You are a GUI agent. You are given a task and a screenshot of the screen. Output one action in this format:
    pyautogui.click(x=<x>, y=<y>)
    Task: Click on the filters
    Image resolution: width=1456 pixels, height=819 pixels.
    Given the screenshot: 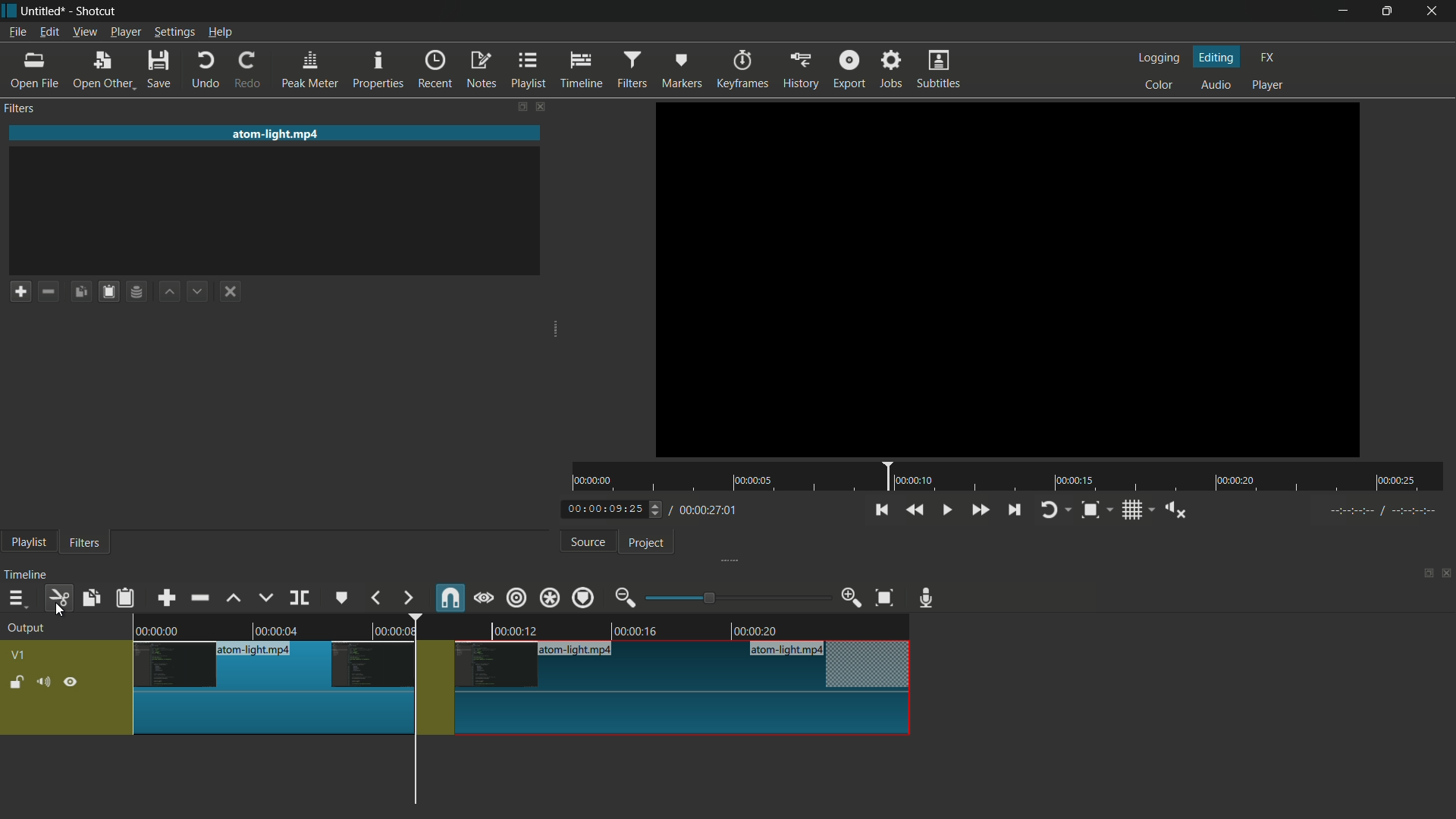 What is the action you would take?
    pyautogui.click(x=635, y=70)
    